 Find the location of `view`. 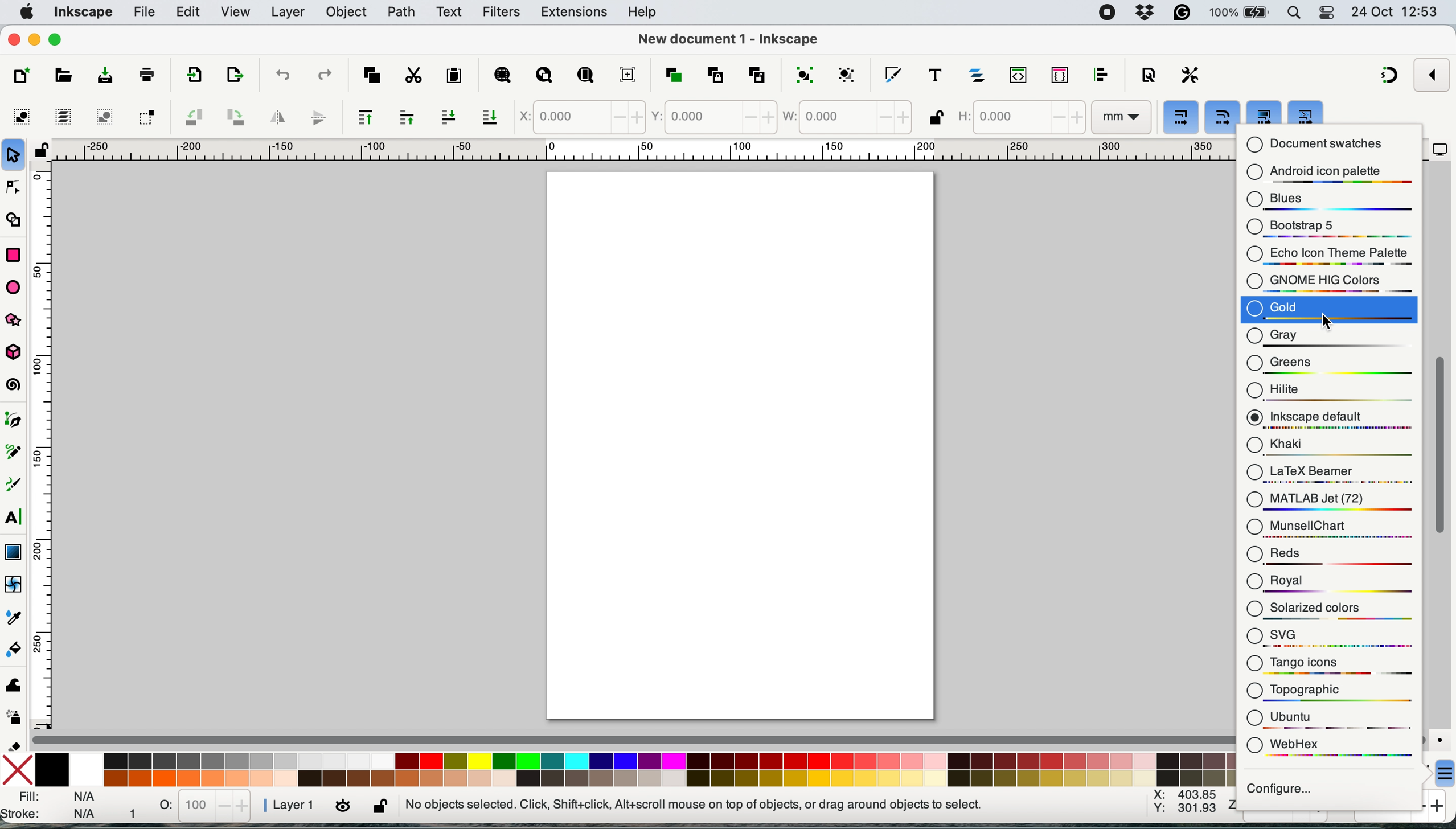

view is located at coordinates (236, 12).